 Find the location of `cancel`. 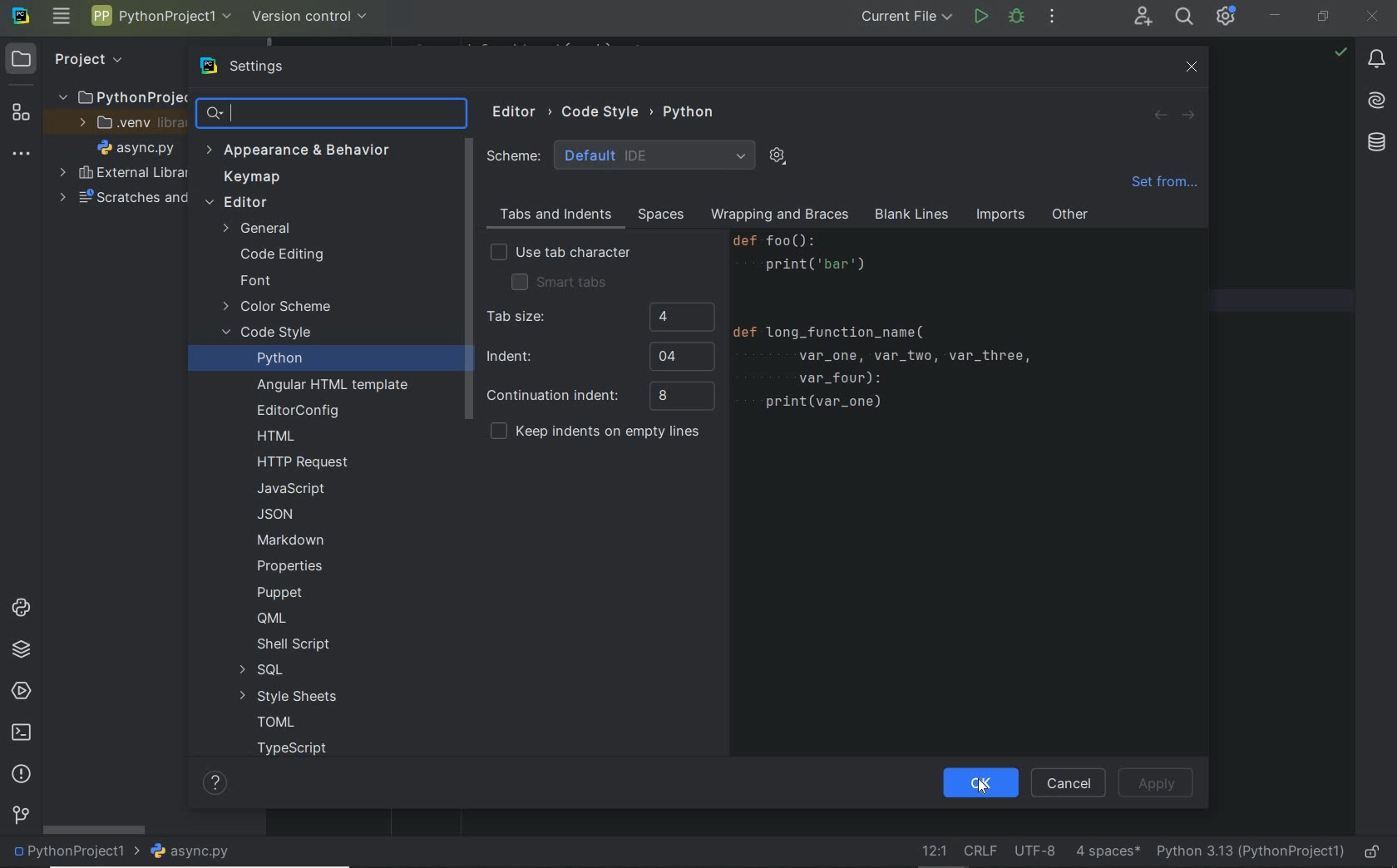

cancel is located at coordinates (1065, 784).